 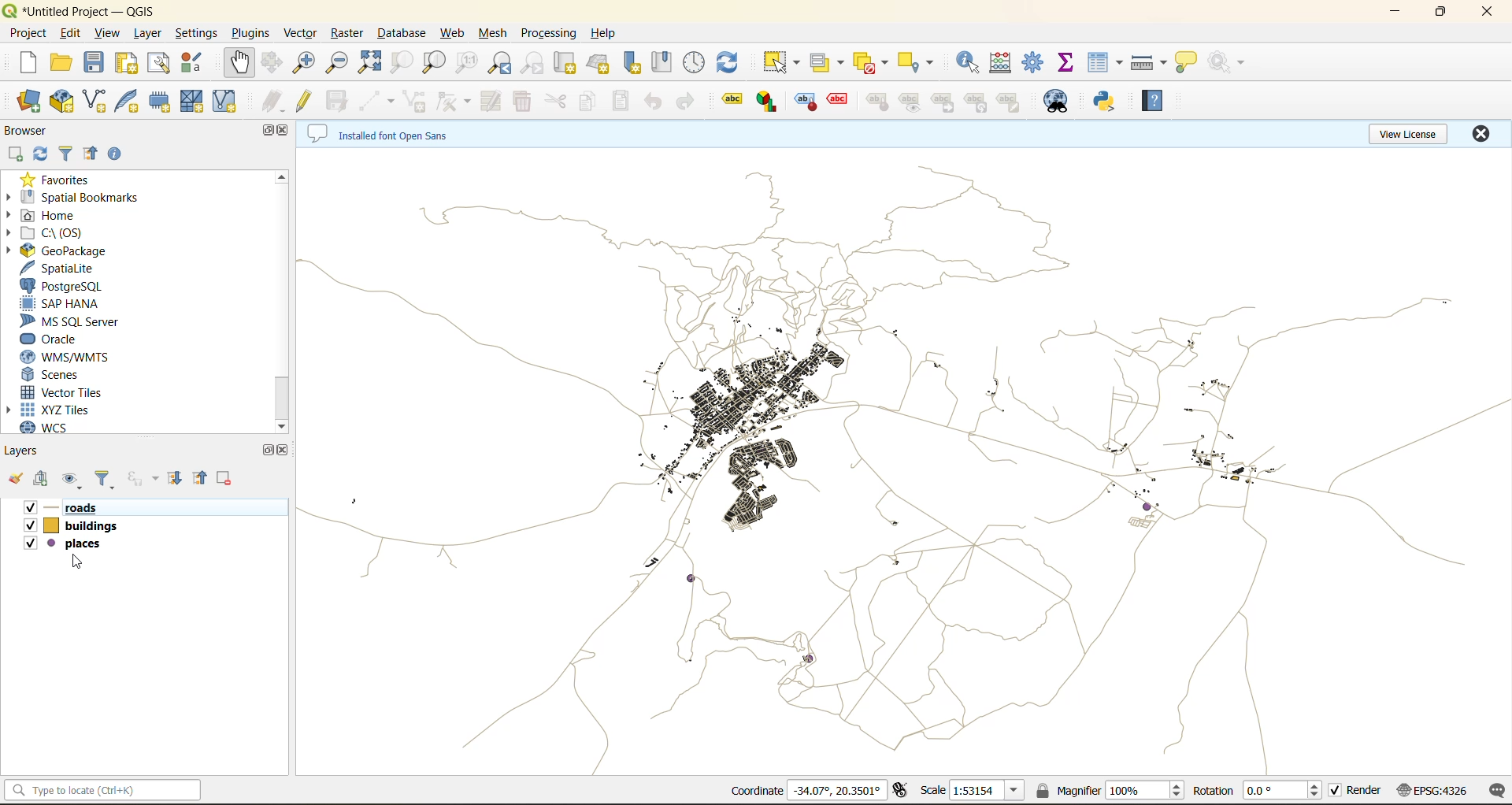 I want to click on filter, so click(x=103, y=478).